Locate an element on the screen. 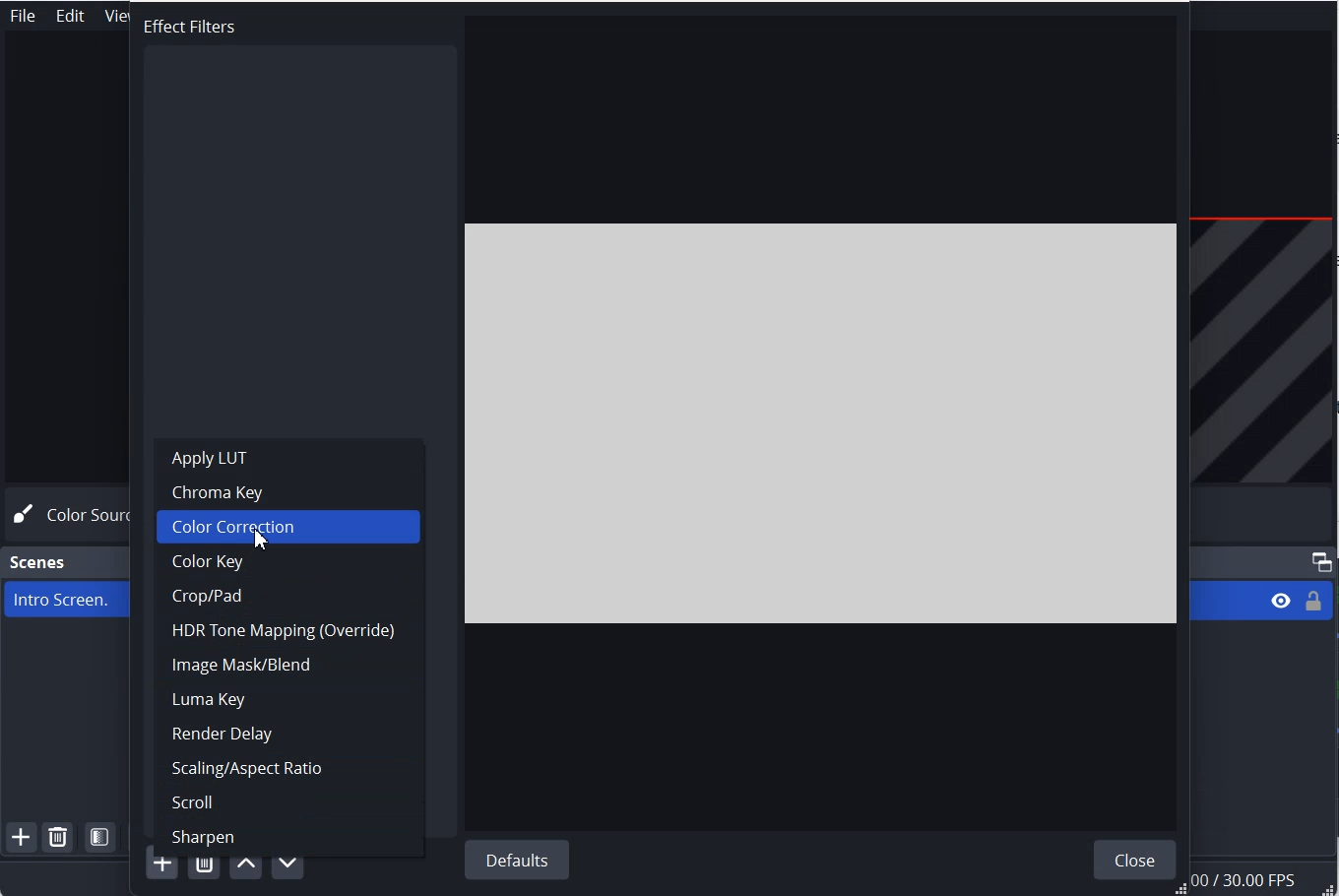 The height and width of the screenshot is (896, 1339). Edit is located at coordinates (71, 16).